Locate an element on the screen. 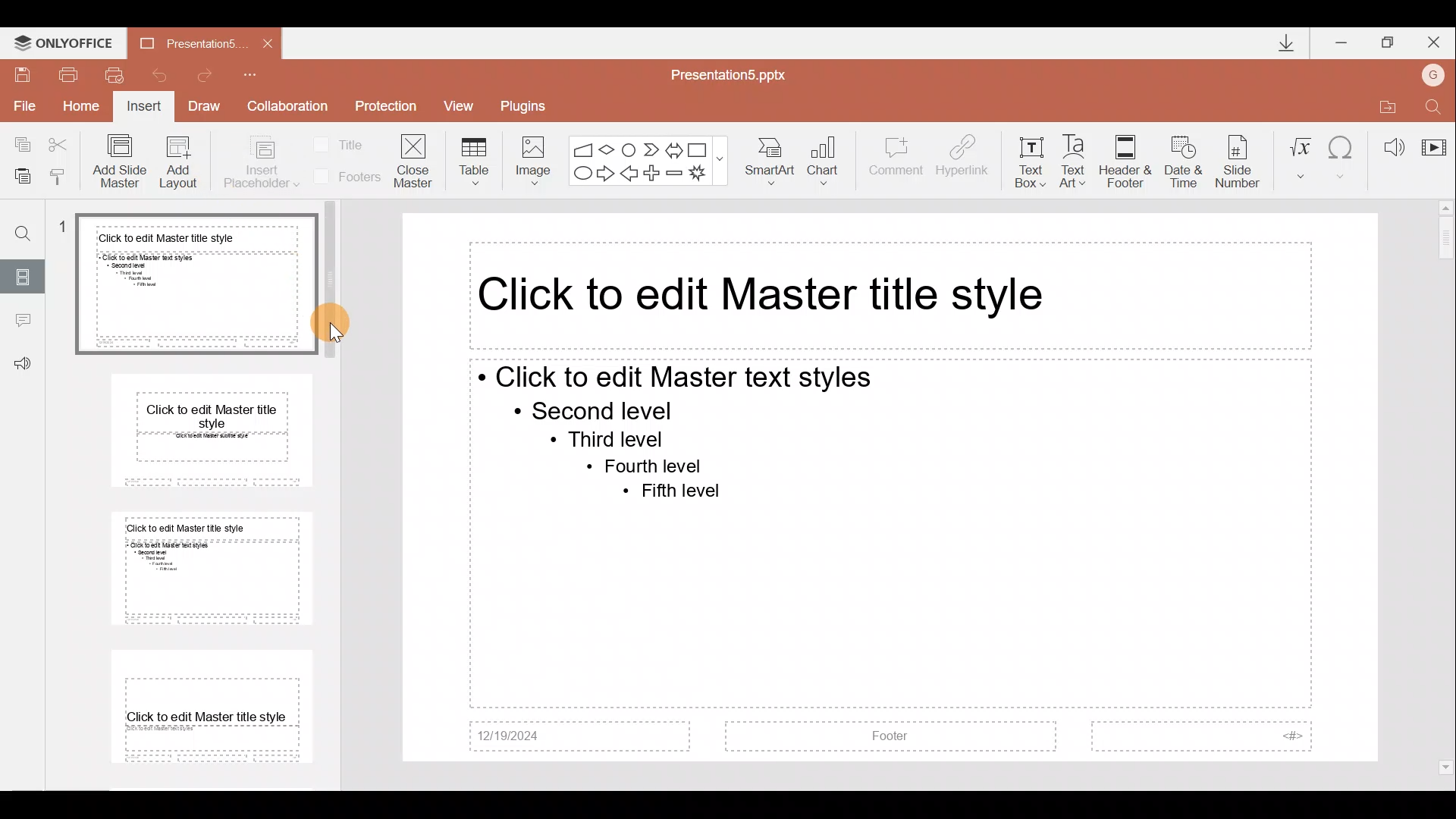  Flowchart - manual input is located at coordinates (582, 147).